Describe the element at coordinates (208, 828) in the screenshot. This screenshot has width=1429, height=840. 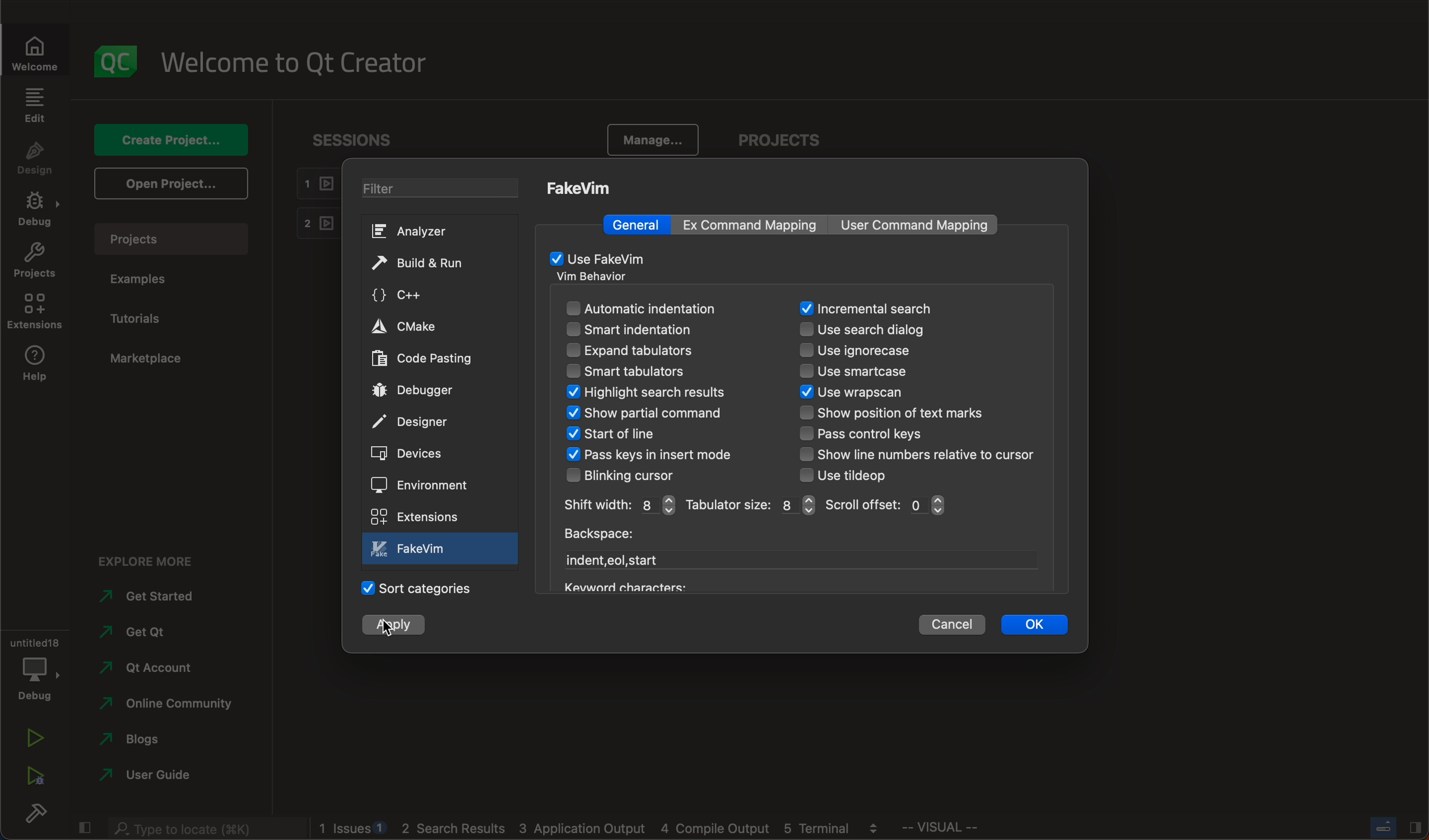
I see `search bar` at that location.